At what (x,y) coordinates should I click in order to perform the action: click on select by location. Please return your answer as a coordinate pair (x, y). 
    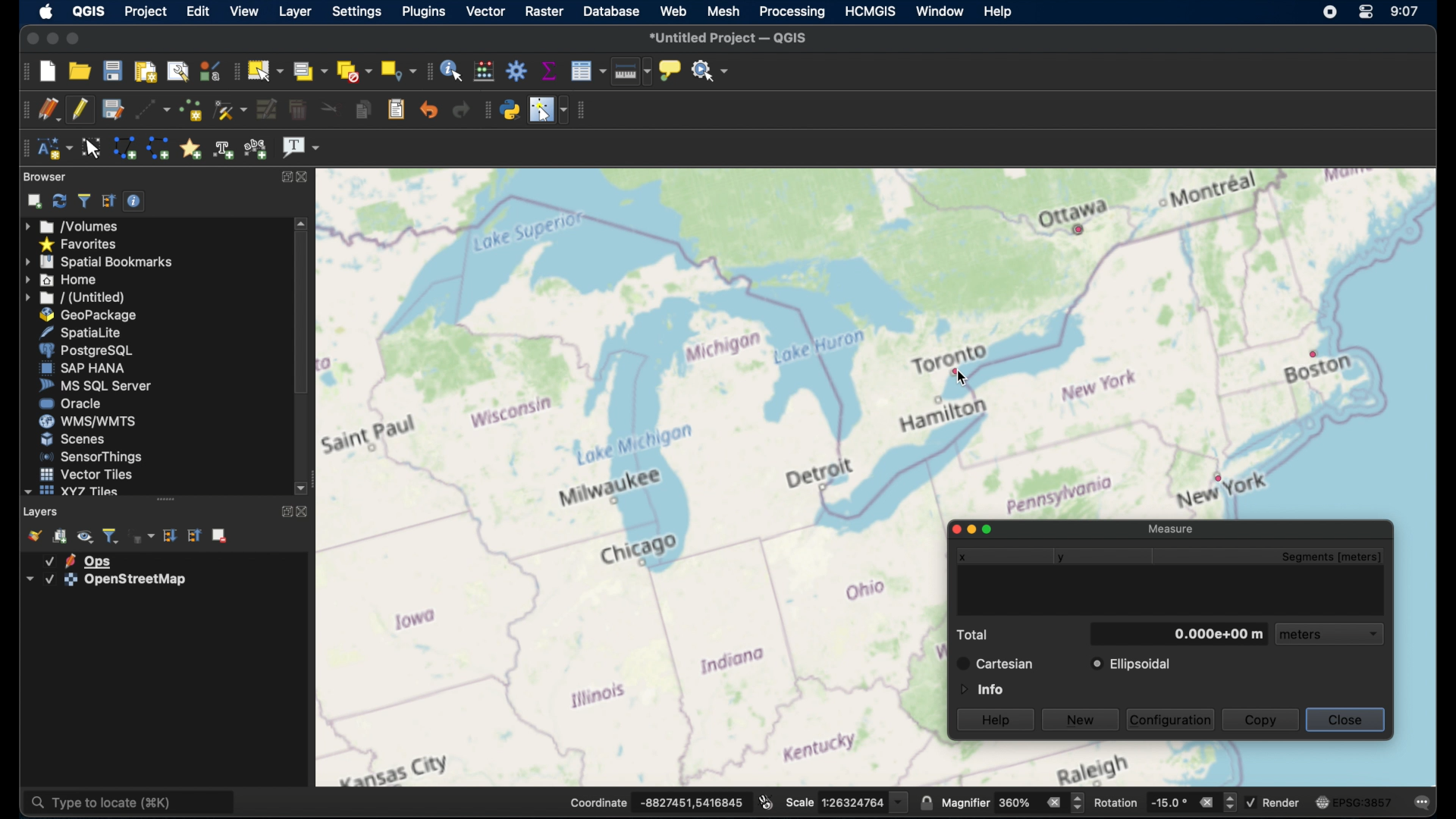
    Looking at the image, I should click on (397, 71).